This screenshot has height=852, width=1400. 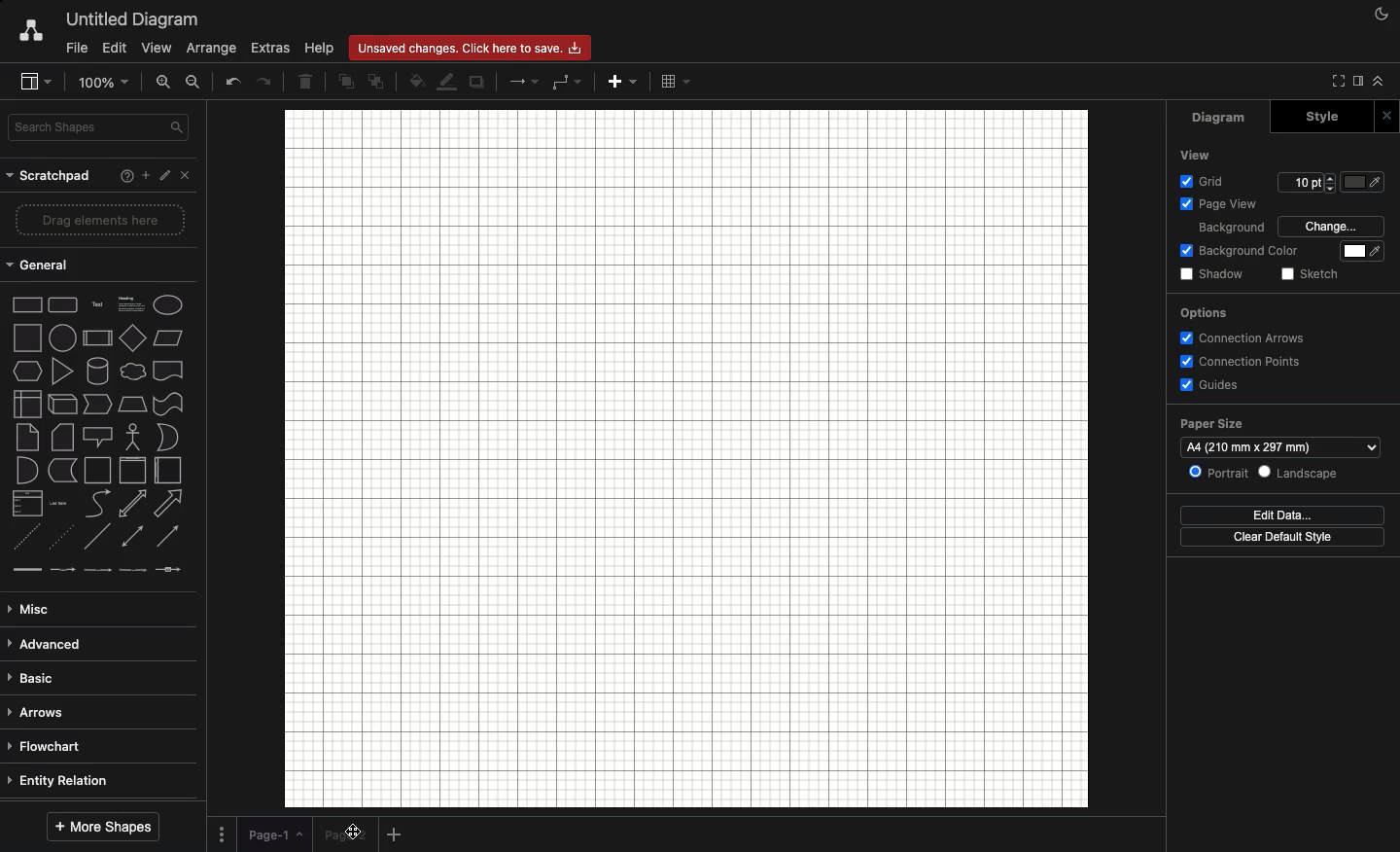 I want to click on Basic, so click(x=43, y=679).